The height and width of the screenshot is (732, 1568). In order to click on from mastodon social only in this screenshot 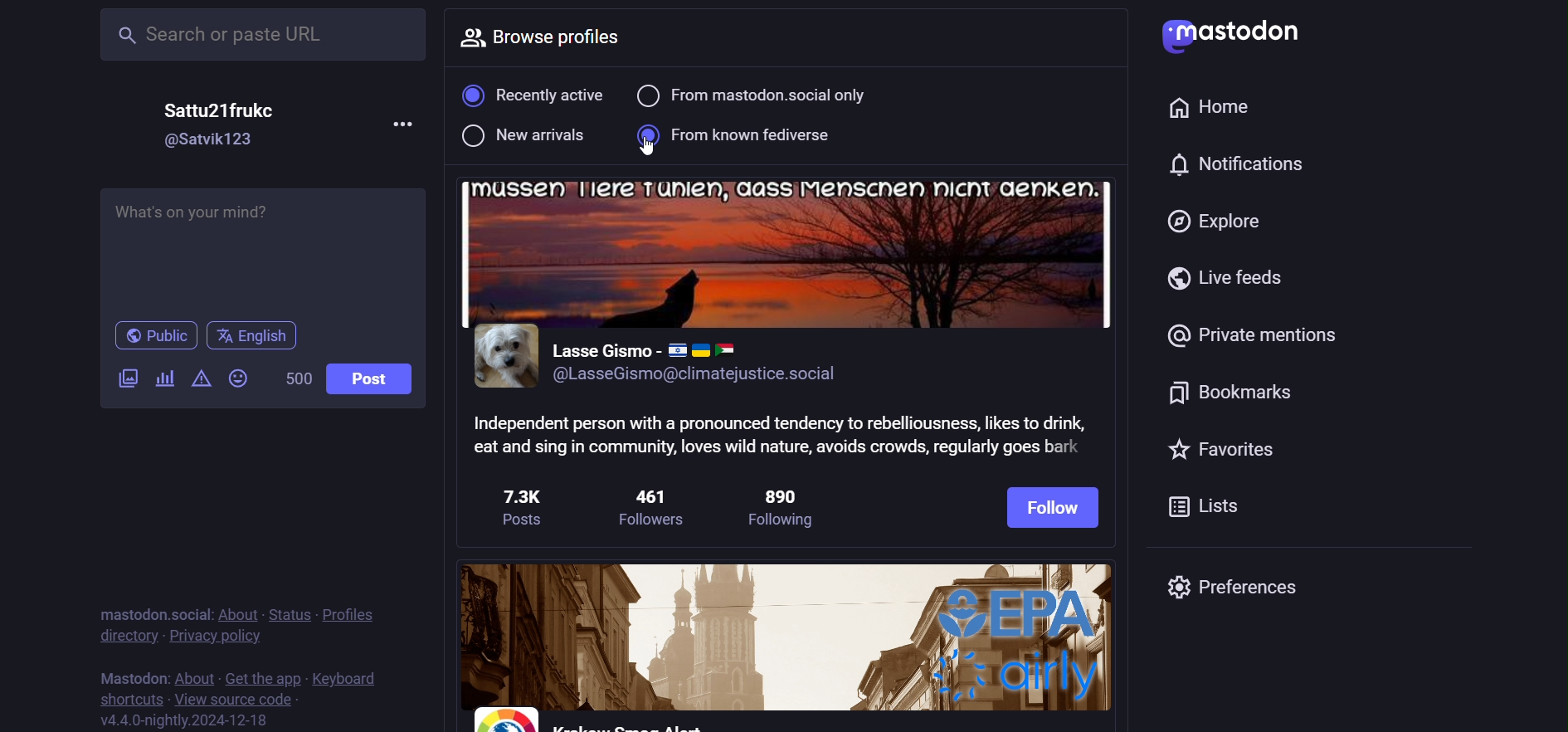, I will do `click(753, 94)`.